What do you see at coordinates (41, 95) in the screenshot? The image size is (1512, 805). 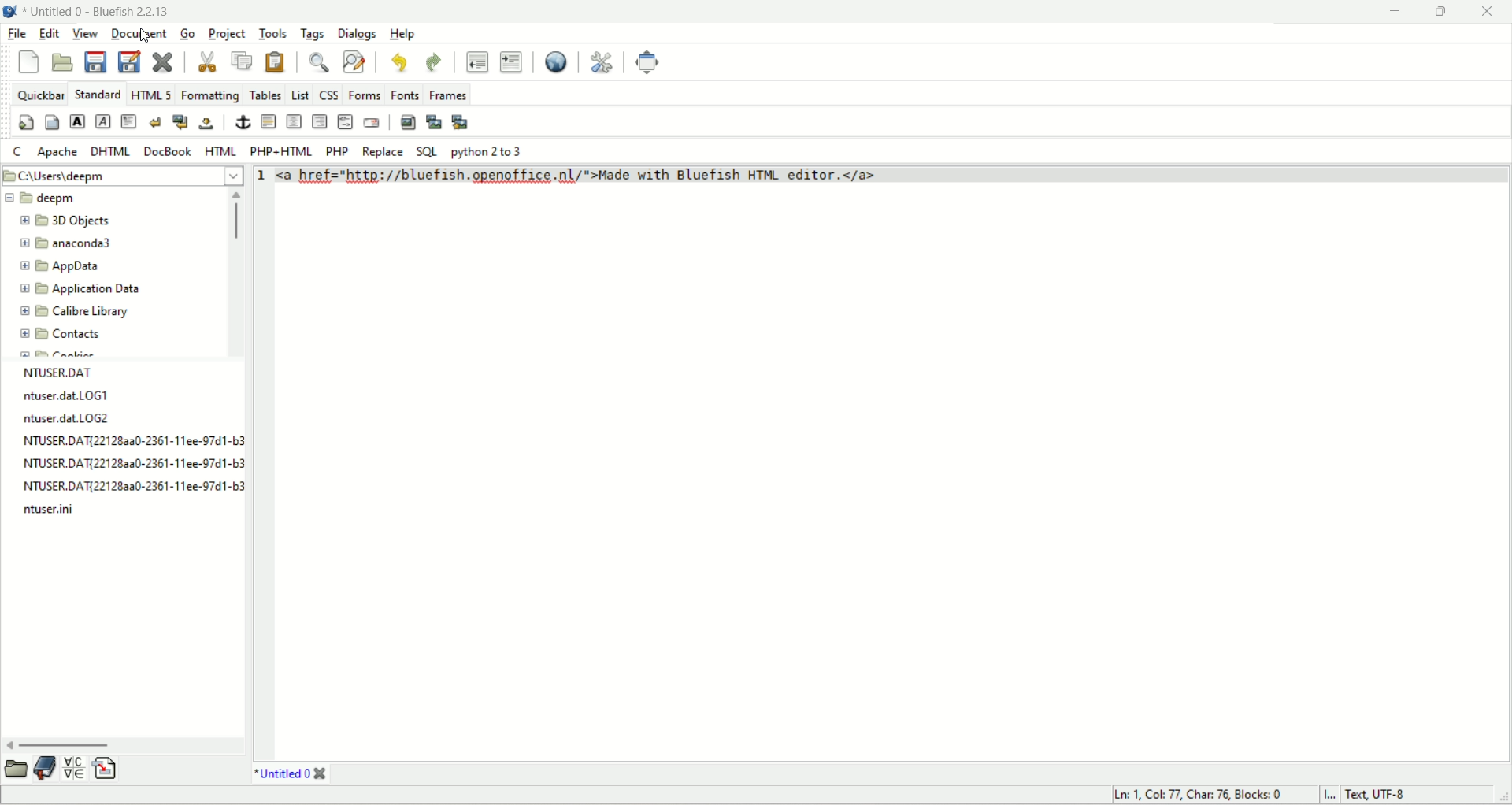 I see `quickbar` at bounding box center [41, 95].